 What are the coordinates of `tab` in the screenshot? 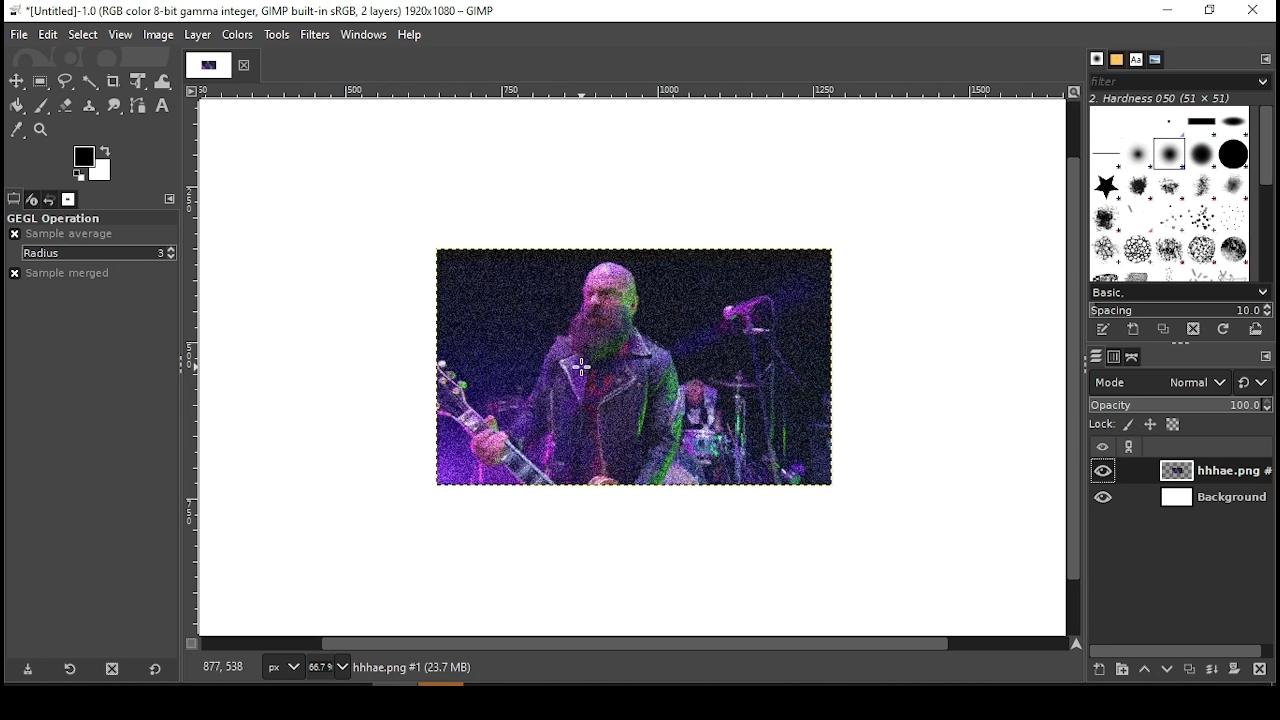 It's located at (206, 65).